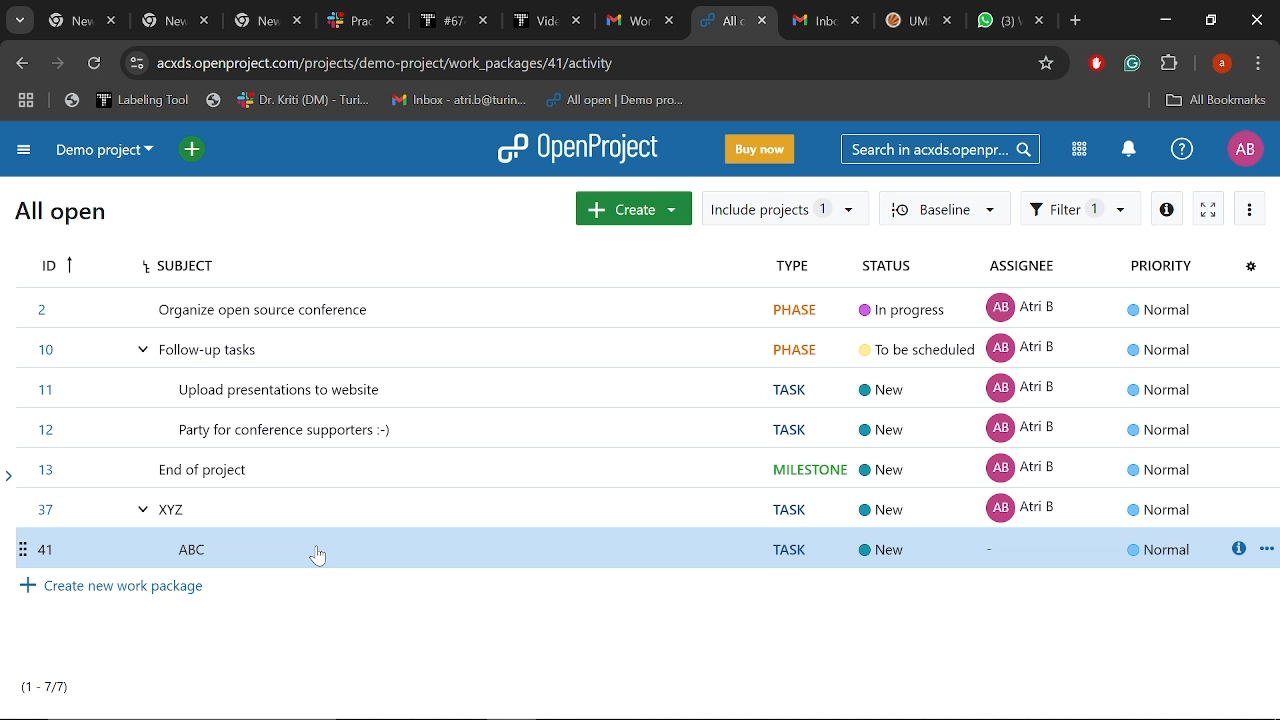 Image resolution: width=1280 pixels, height=720 pixels. What do you see at coordinates (1170, 65) in the screenshot?
I see `extensions` at bounding box center [1170, 65].